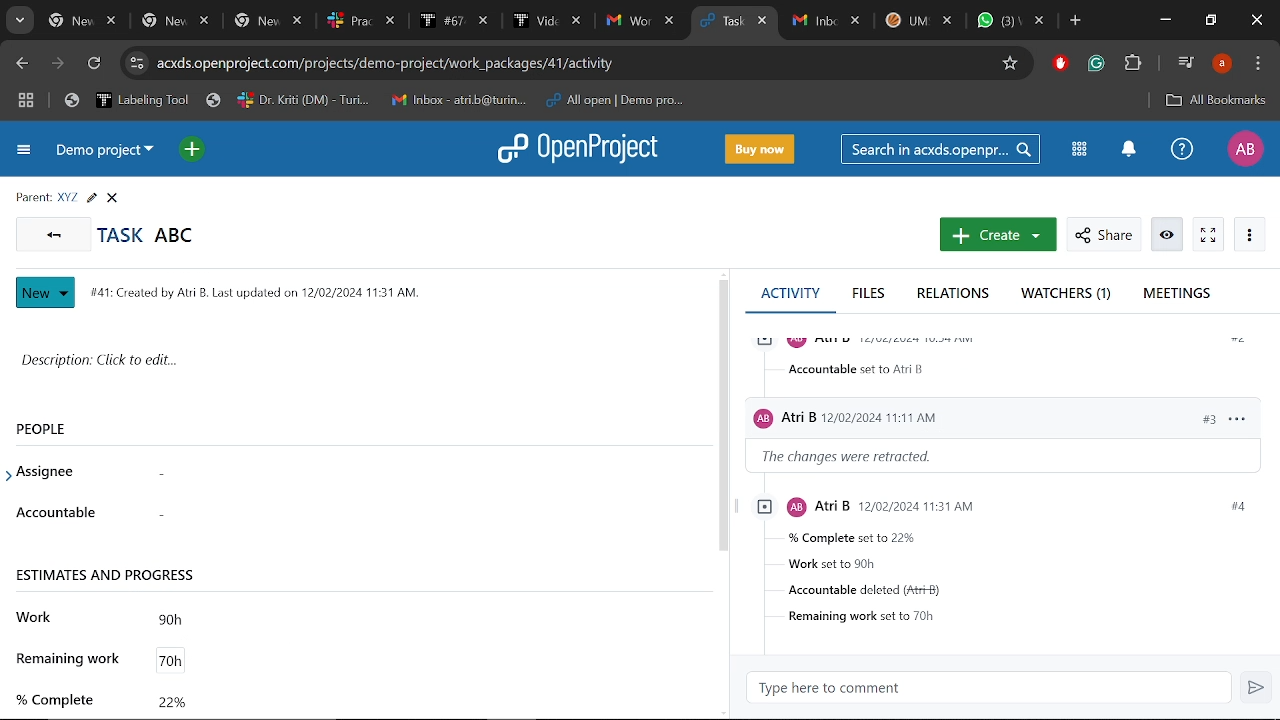  I want to click on Current task name, so click(153, 234).